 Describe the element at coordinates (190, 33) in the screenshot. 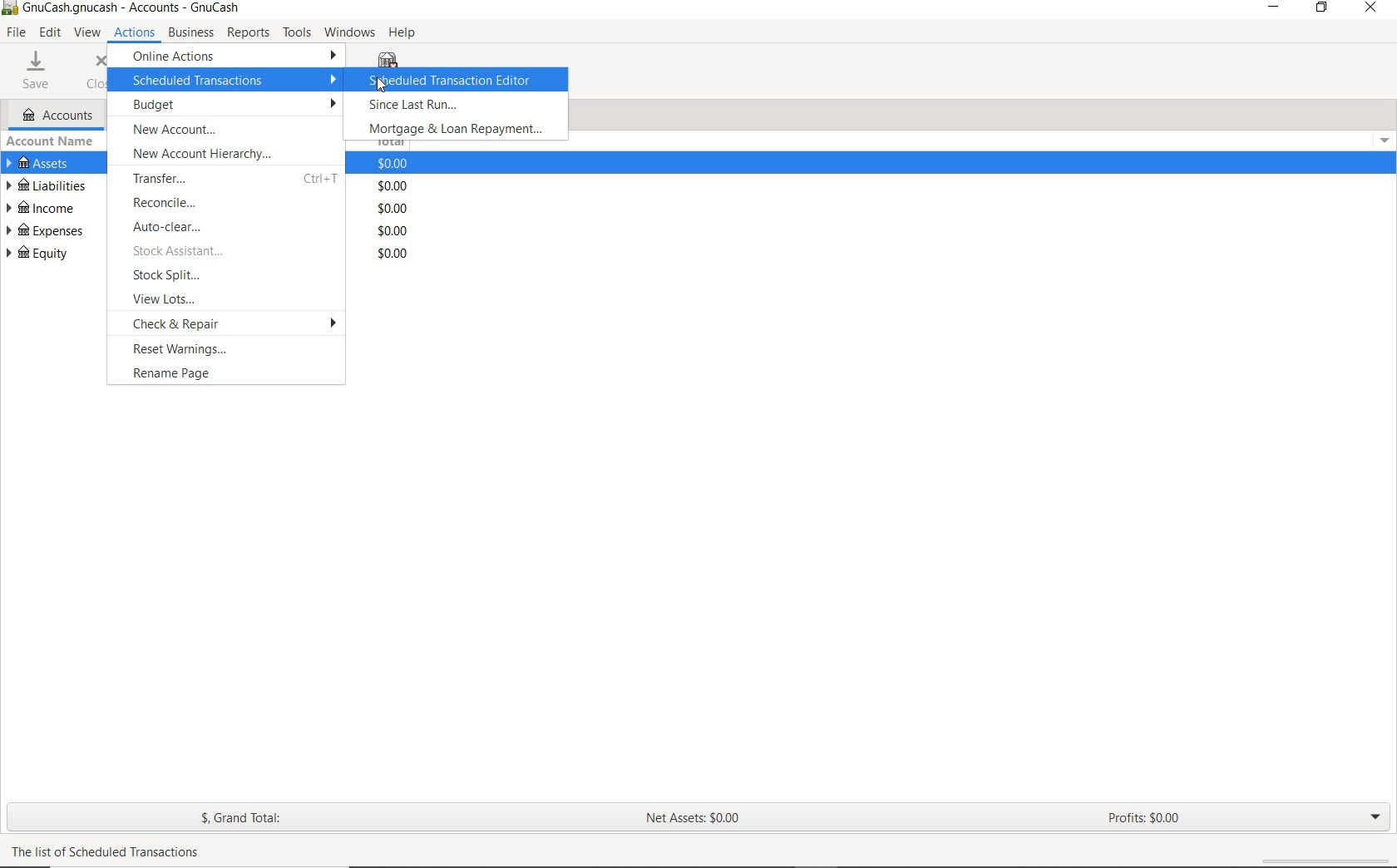

I see `BUSINESS` at that location.